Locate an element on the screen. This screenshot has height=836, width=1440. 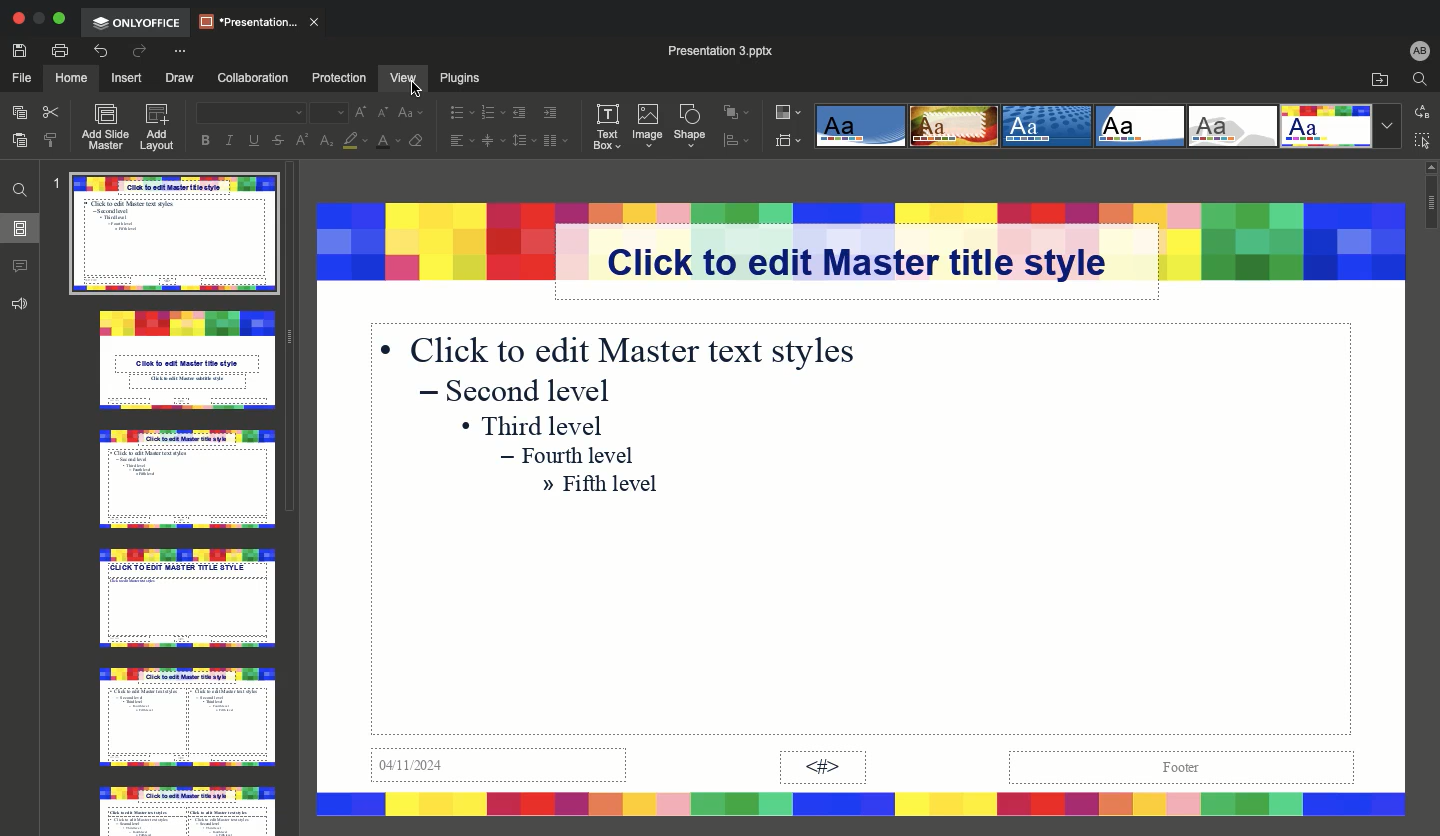
Subscript is located at coordinates (324, 142).